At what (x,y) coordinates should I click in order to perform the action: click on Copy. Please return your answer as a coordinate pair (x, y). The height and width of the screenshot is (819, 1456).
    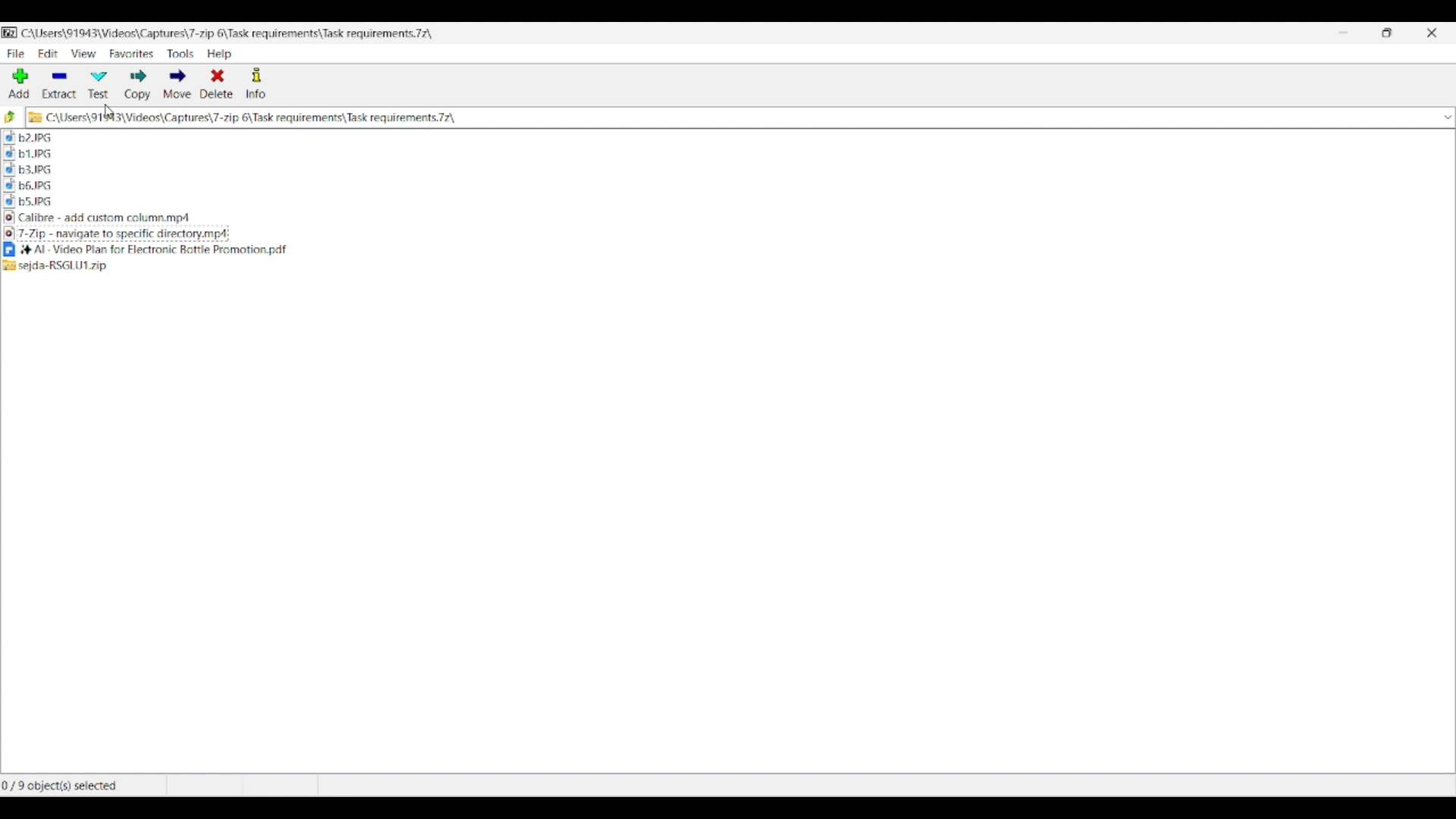
    Looking at the image, I should click on (138, 85).